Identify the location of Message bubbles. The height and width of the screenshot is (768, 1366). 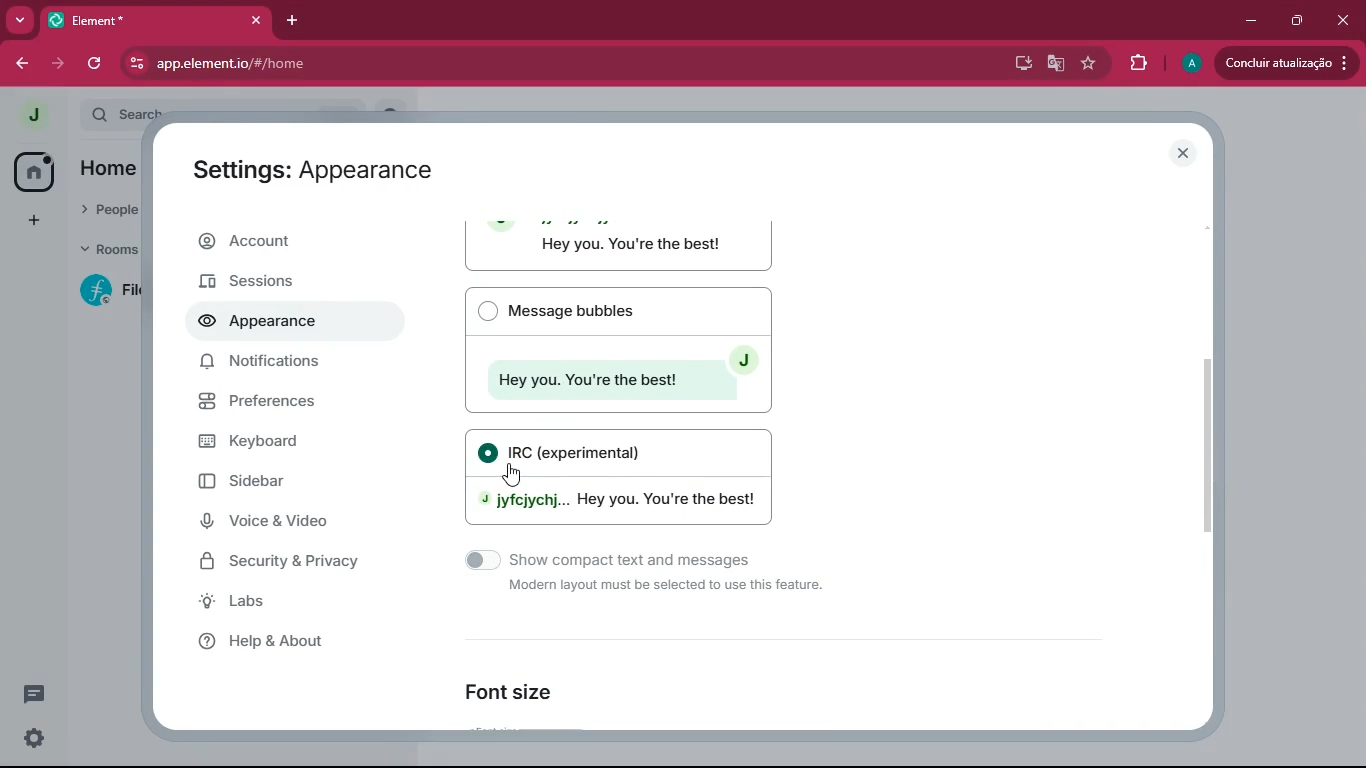
(618, 349).